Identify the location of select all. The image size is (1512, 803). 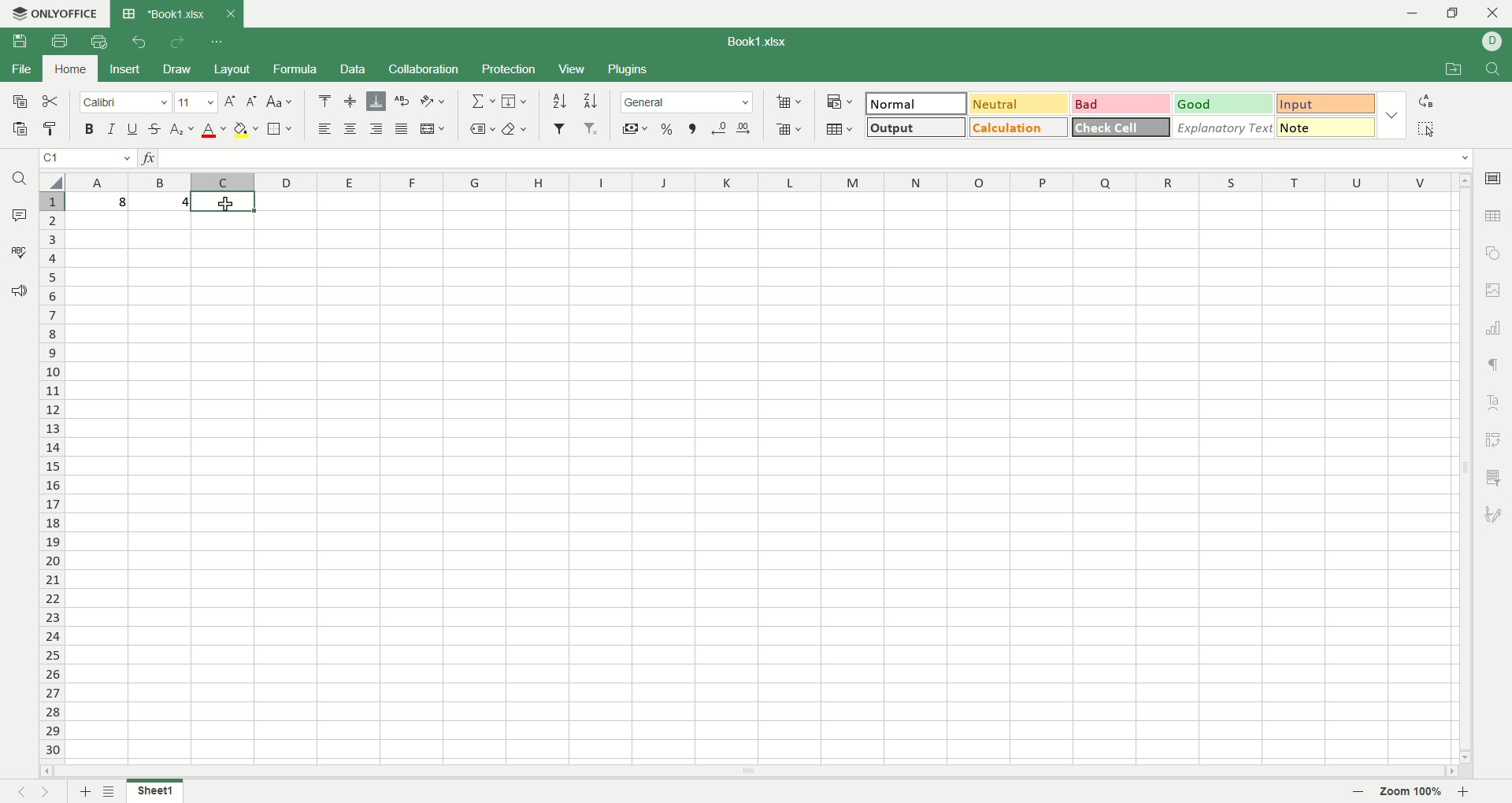
(51, 183).